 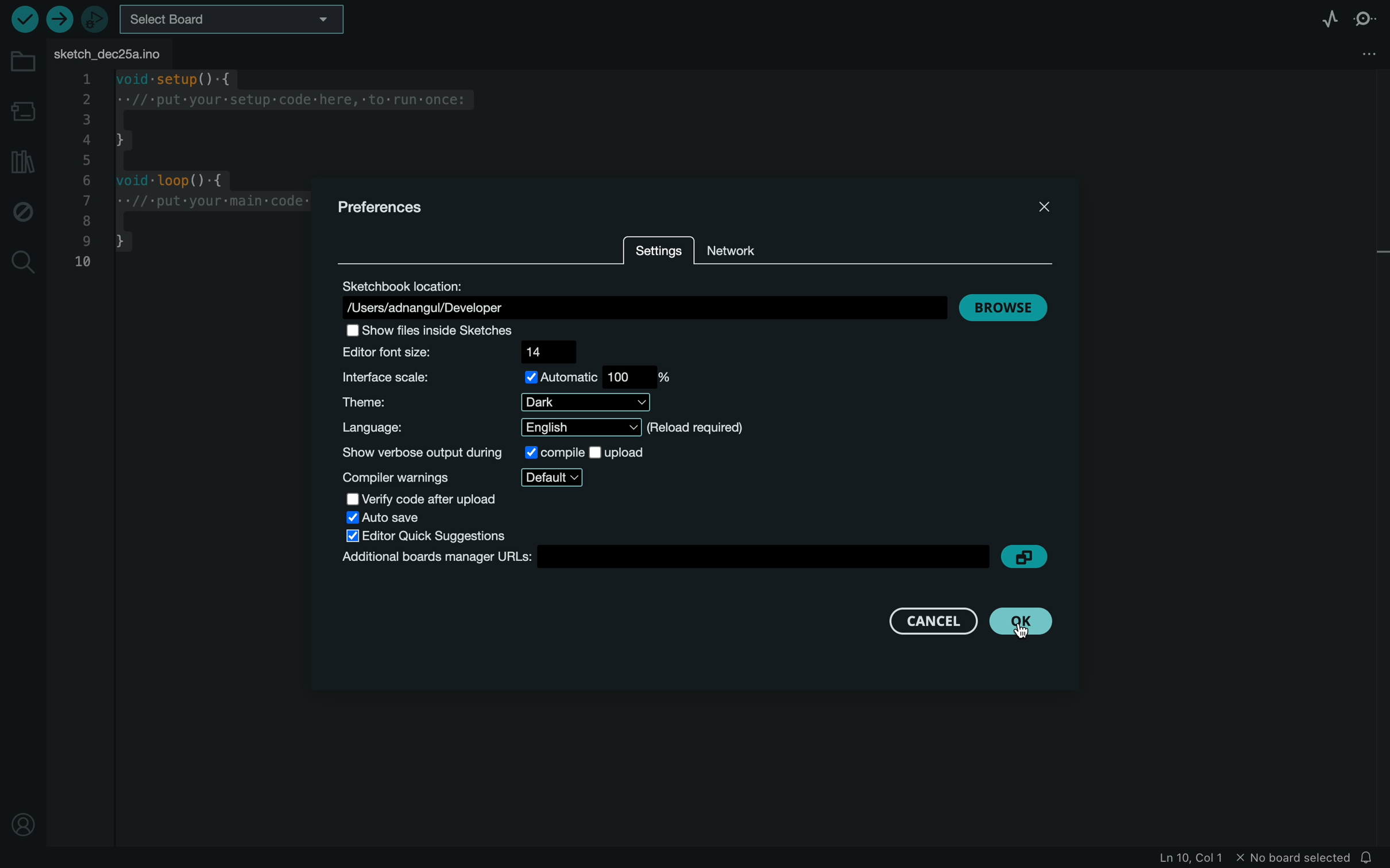 I want to click on debug, so click(x=22, y=211).